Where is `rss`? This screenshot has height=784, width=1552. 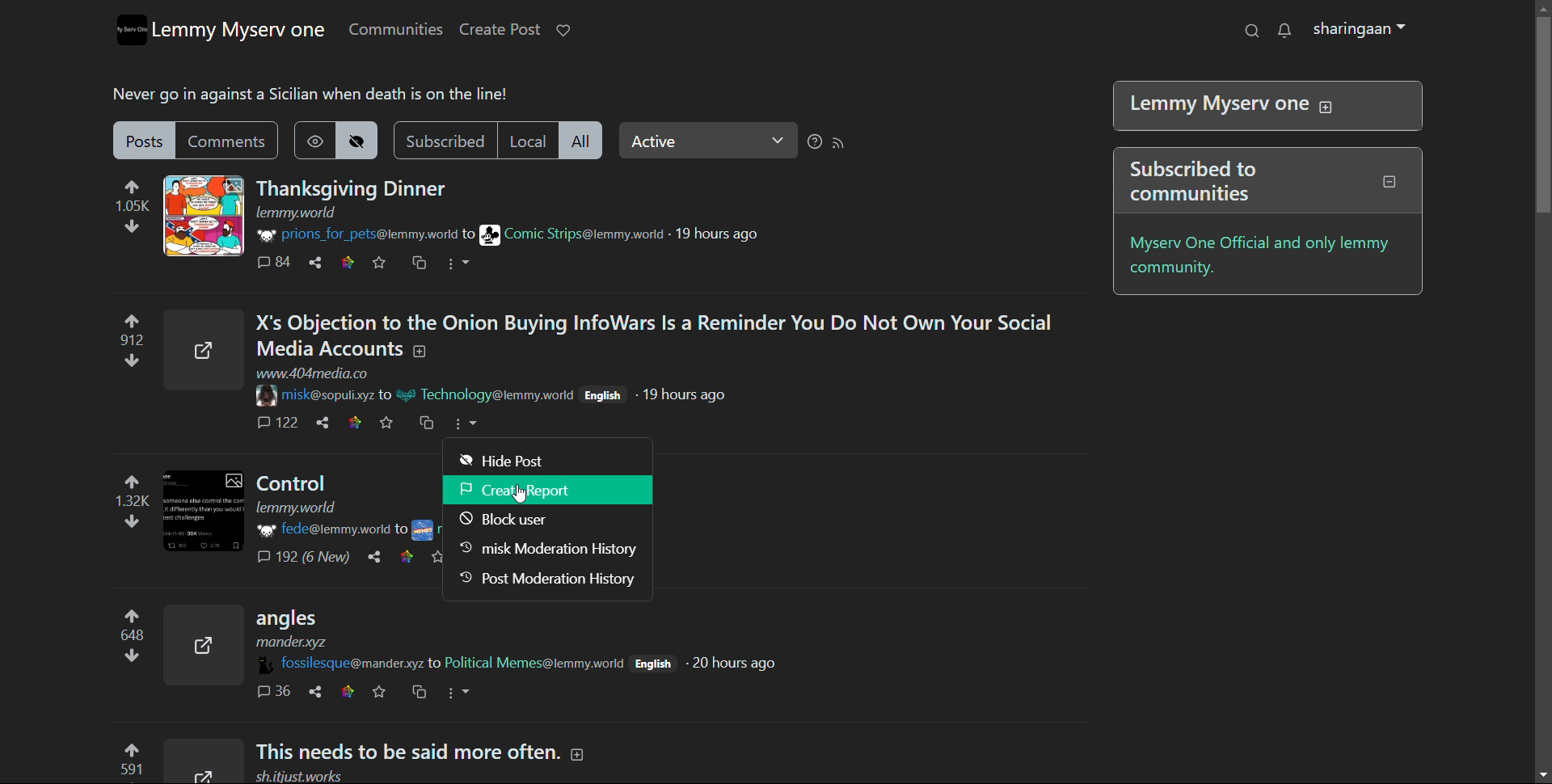
rss is located at coordinates (839, 143).